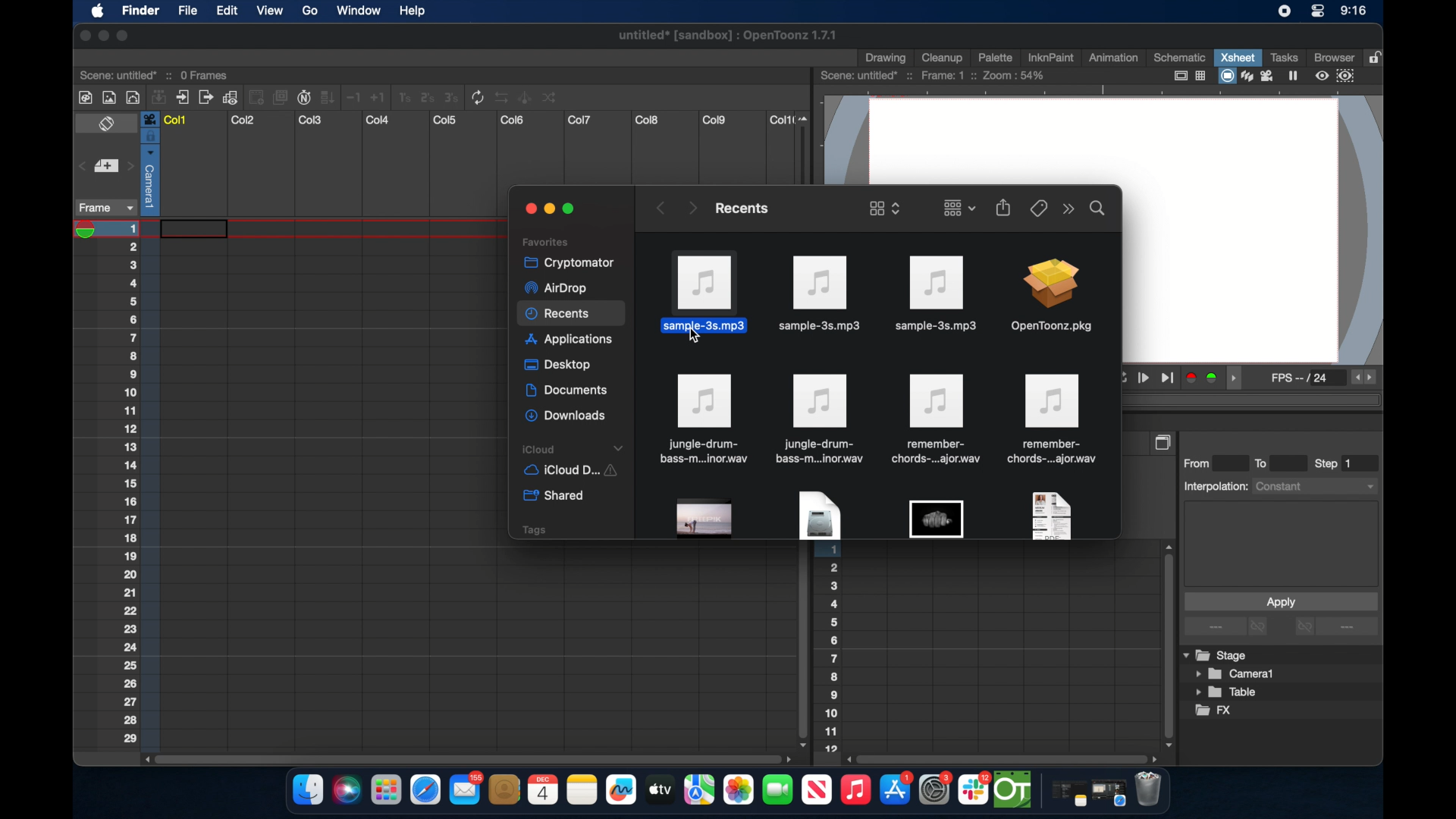  What do you see at coordinates (1301, 381) in the screenshot?
I see `fps` at bounding box center [1301, 381].